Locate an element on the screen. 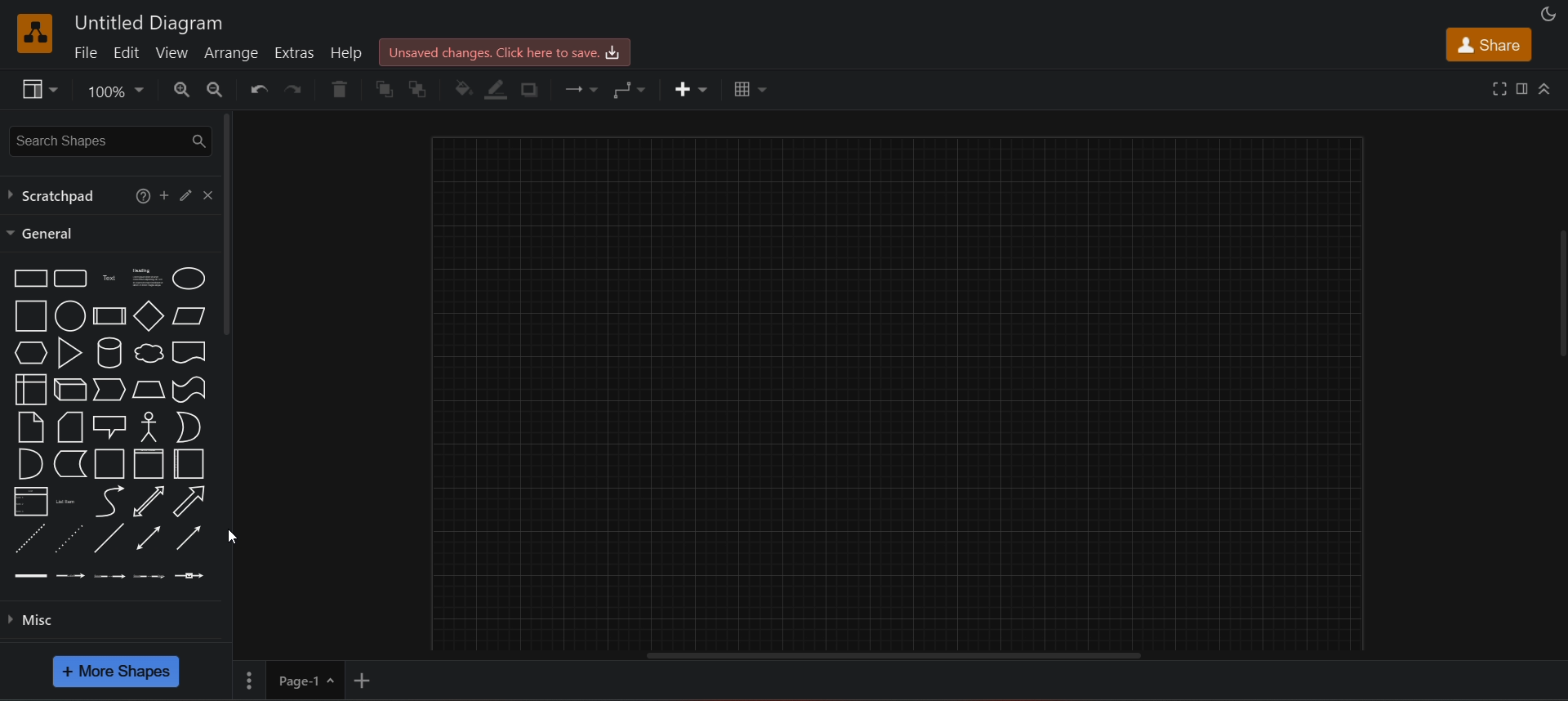  table is located at coordinates (747, 90).